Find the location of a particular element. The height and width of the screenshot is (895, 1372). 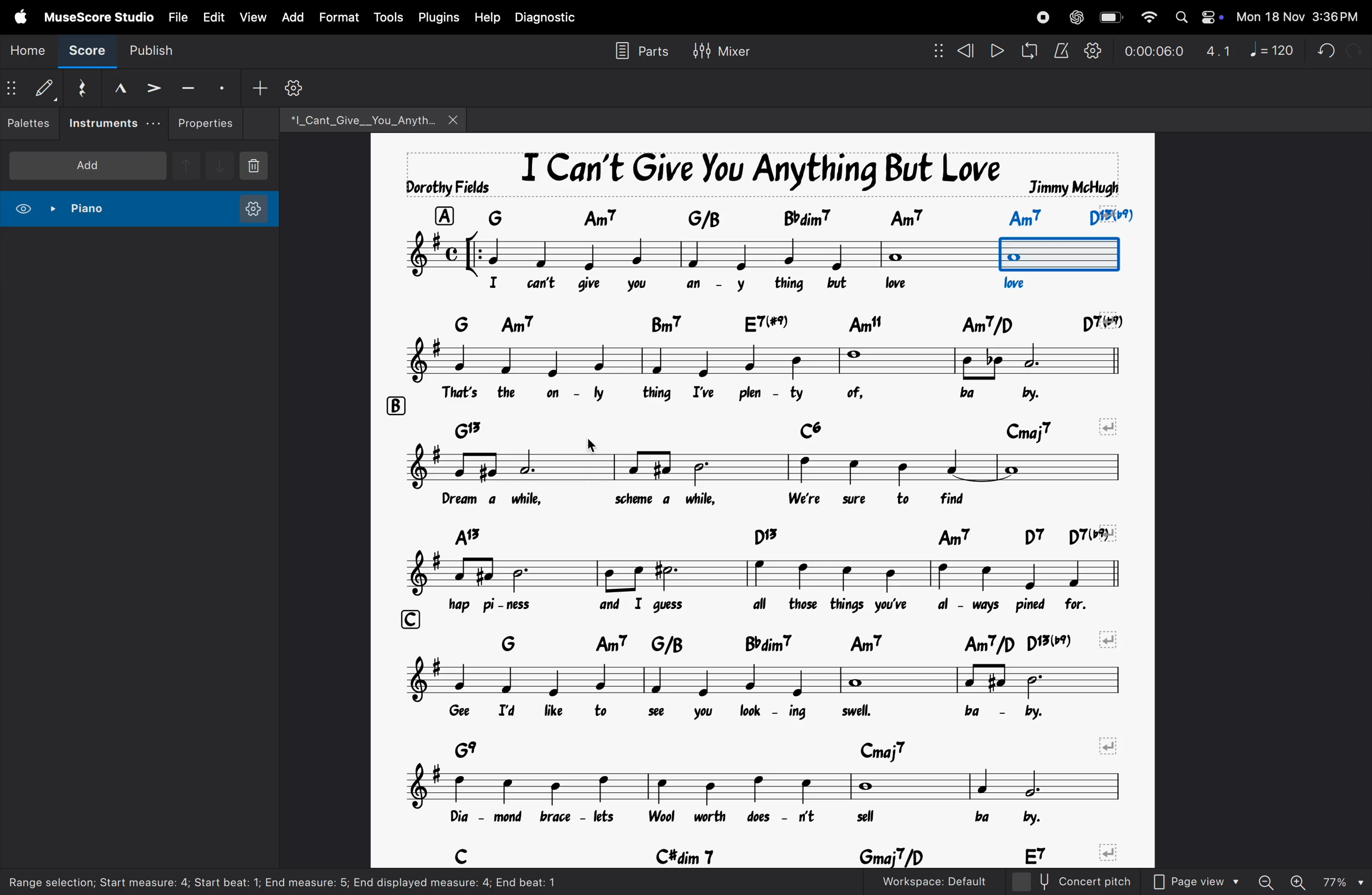

edit is located at coordinates (212, 14).